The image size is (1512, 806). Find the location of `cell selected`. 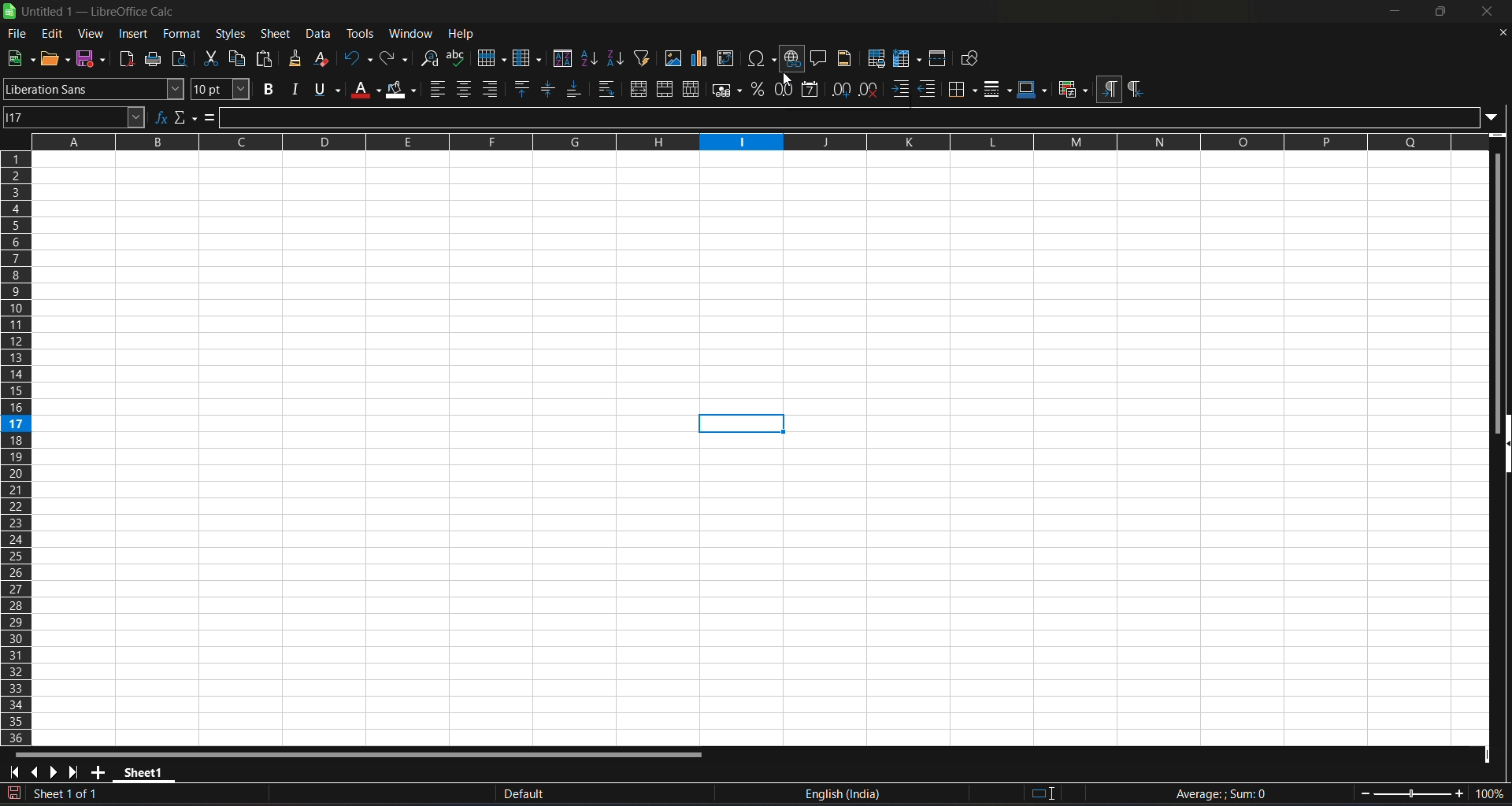

cell selected is located at coordinates (743, 423).